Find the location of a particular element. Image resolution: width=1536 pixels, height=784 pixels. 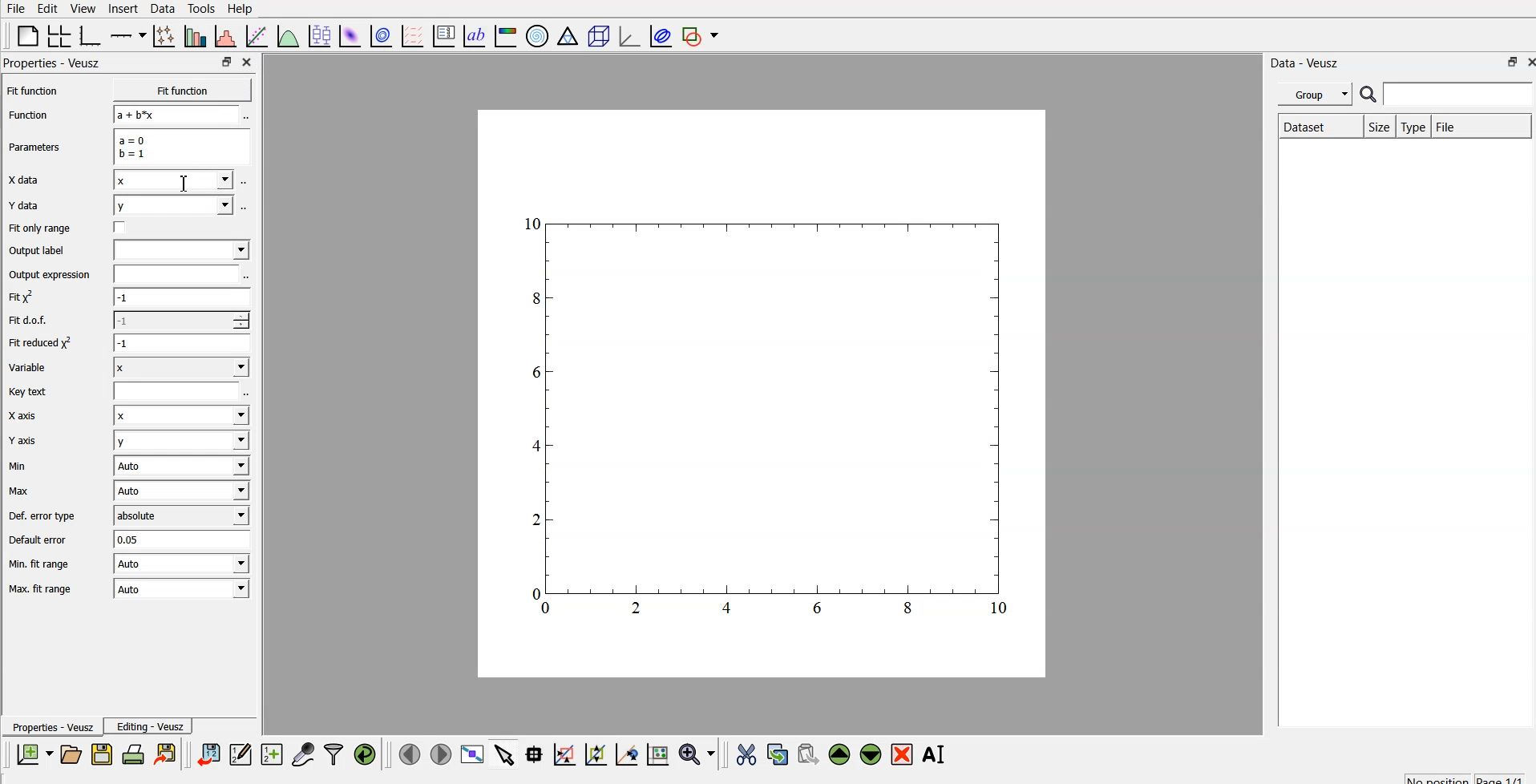

ternary graph is located at coordinates (568, 38).